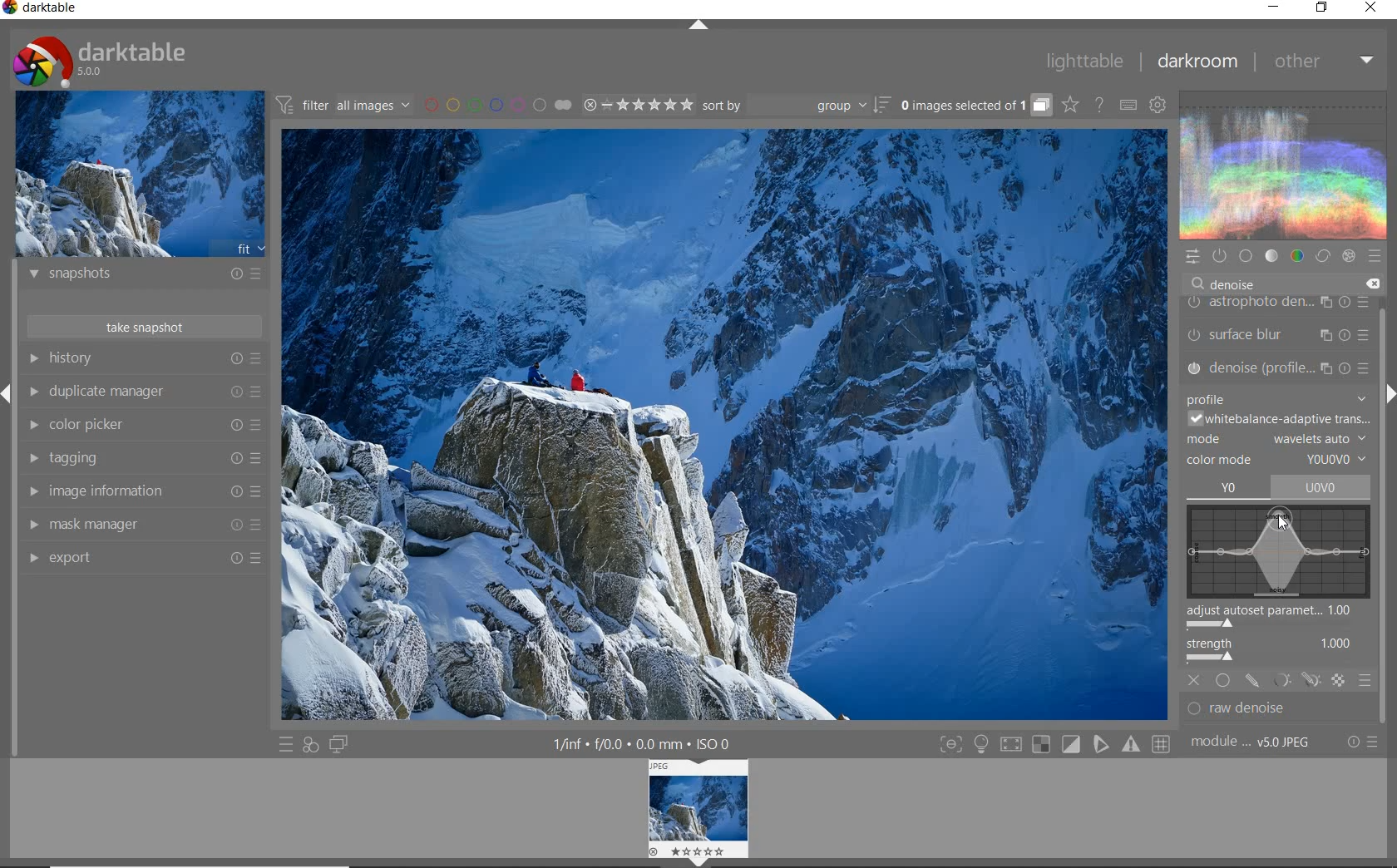 The height and width of the screenshot is (868, 1397). I want to click on quick access to presets, so click(286, 745).